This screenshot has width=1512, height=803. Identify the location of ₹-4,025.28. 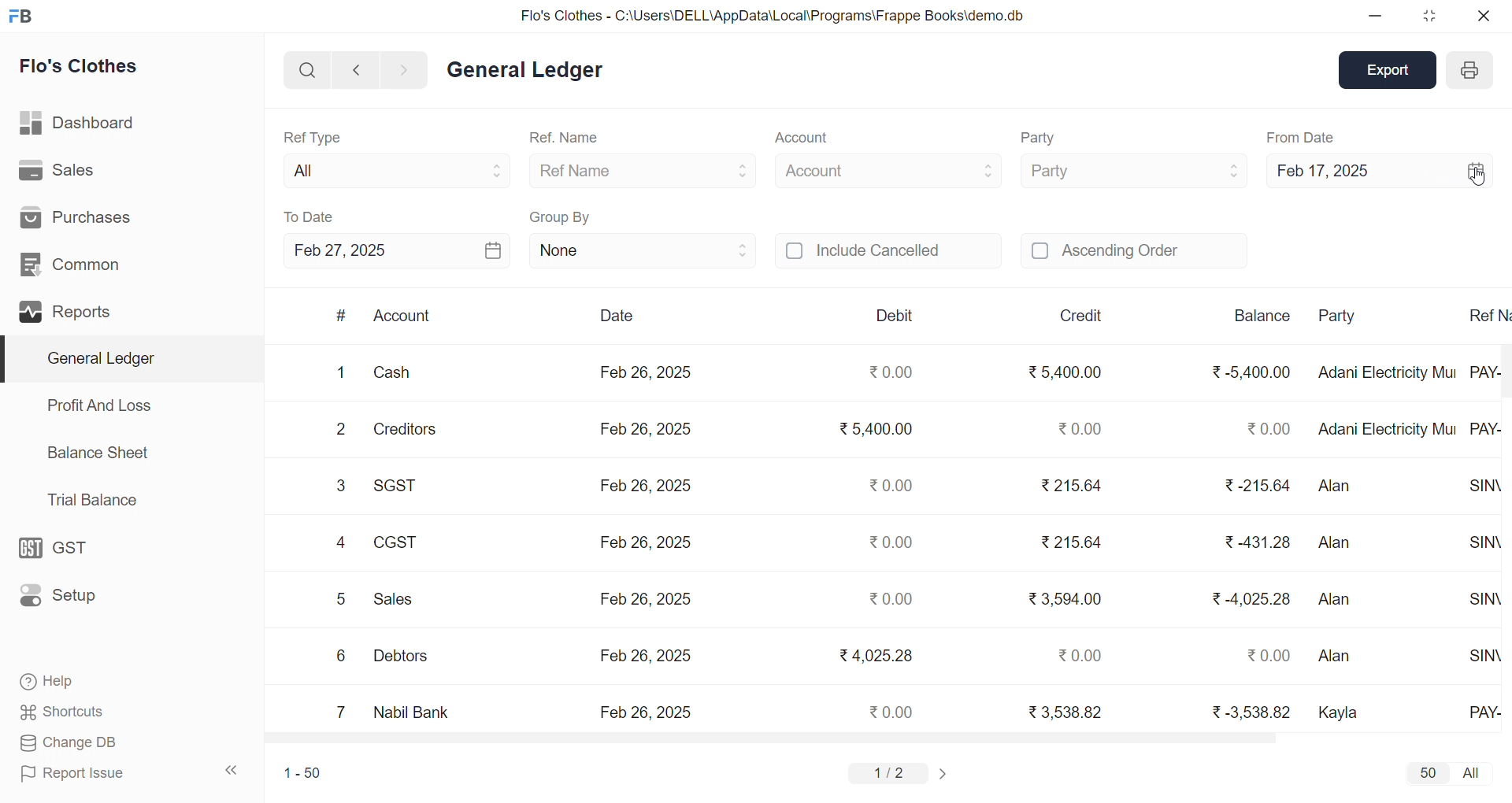
(1251, 598).